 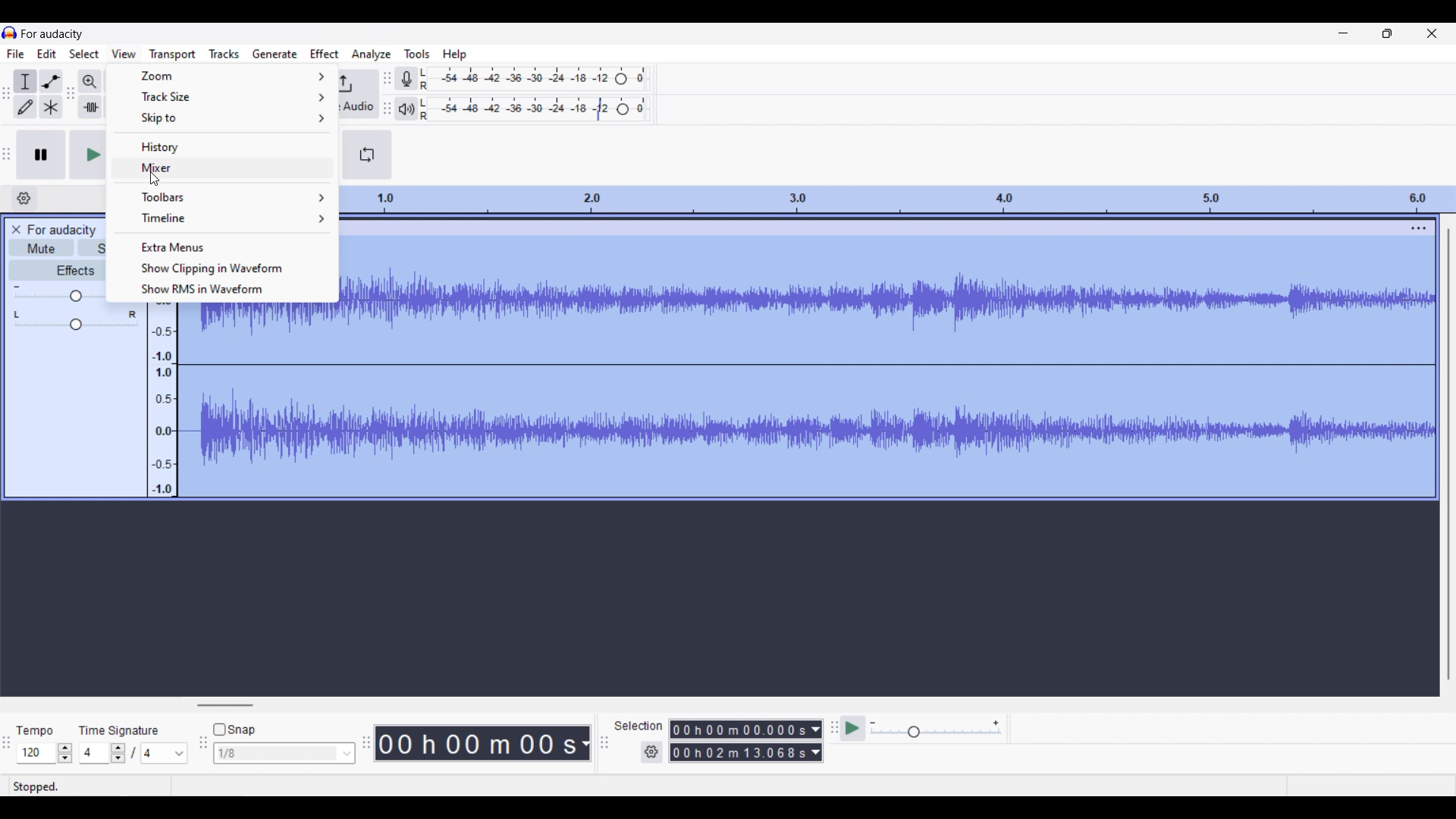 I want to click on Snap toggle, so click(x=234, y=730).